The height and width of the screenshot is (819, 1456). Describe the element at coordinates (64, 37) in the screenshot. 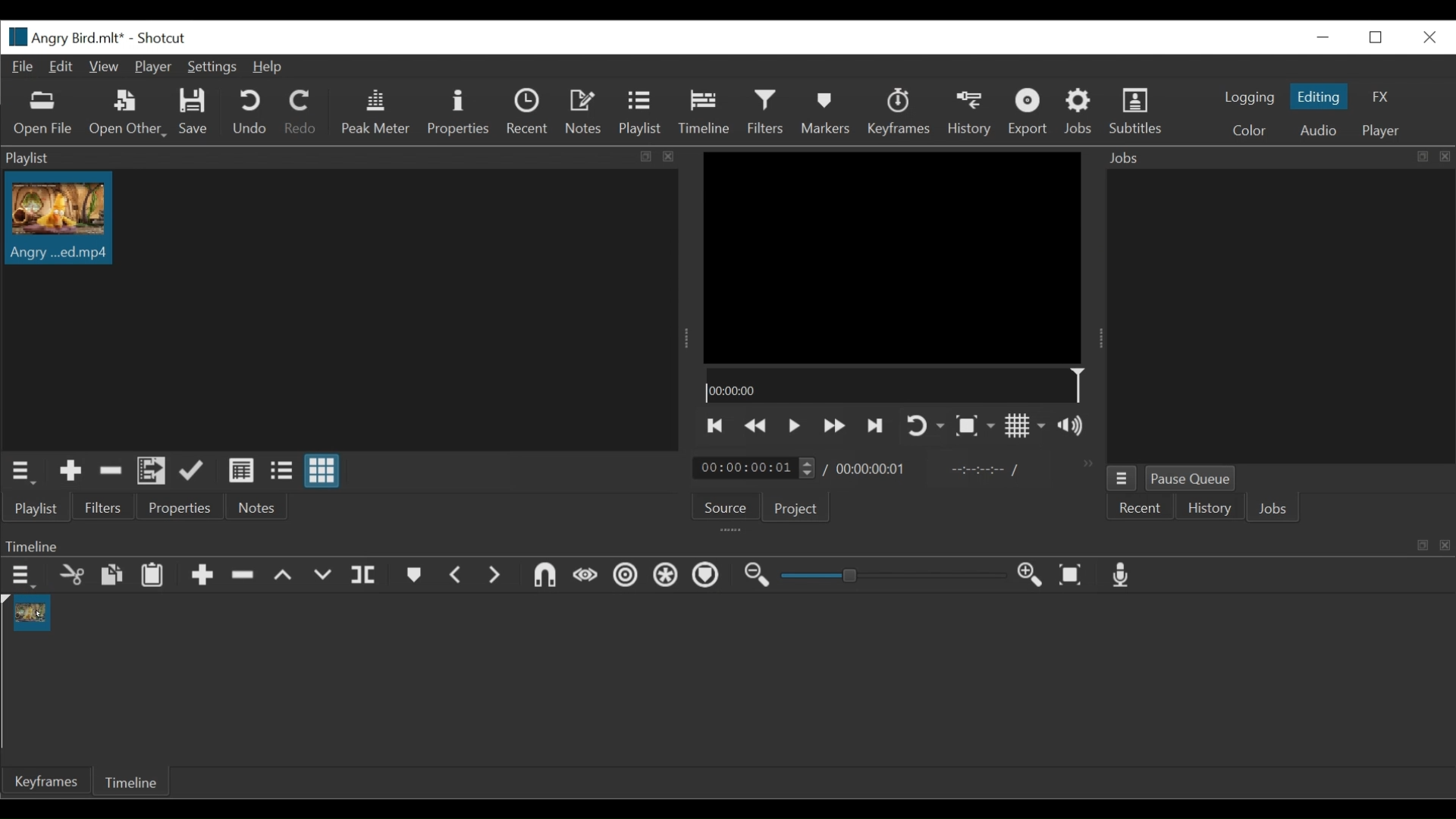

I see `File Name` at that location.